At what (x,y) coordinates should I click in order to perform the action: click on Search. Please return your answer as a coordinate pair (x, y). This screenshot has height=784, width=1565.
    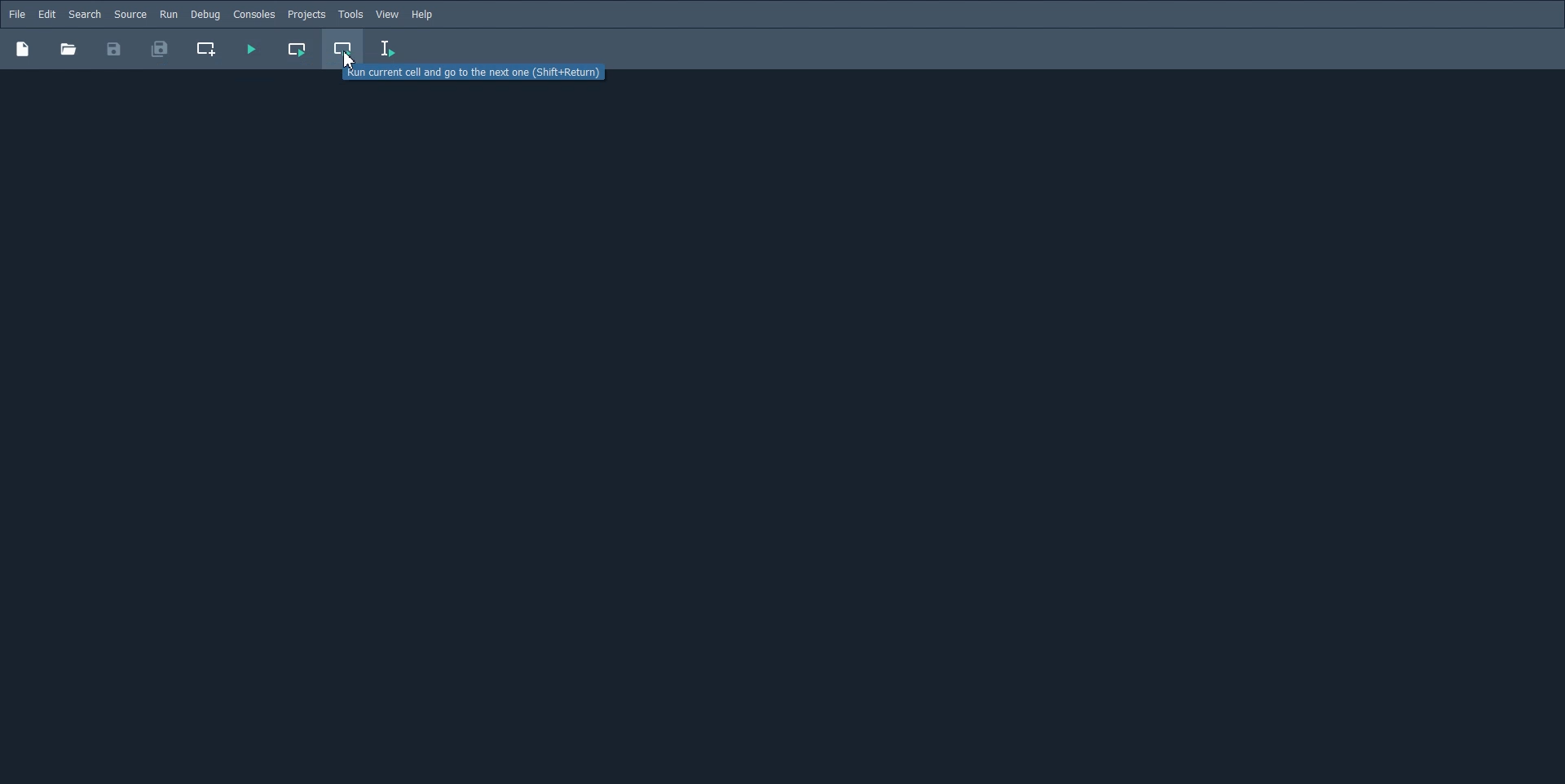
    Looking at the image, I should click on (85, 15).